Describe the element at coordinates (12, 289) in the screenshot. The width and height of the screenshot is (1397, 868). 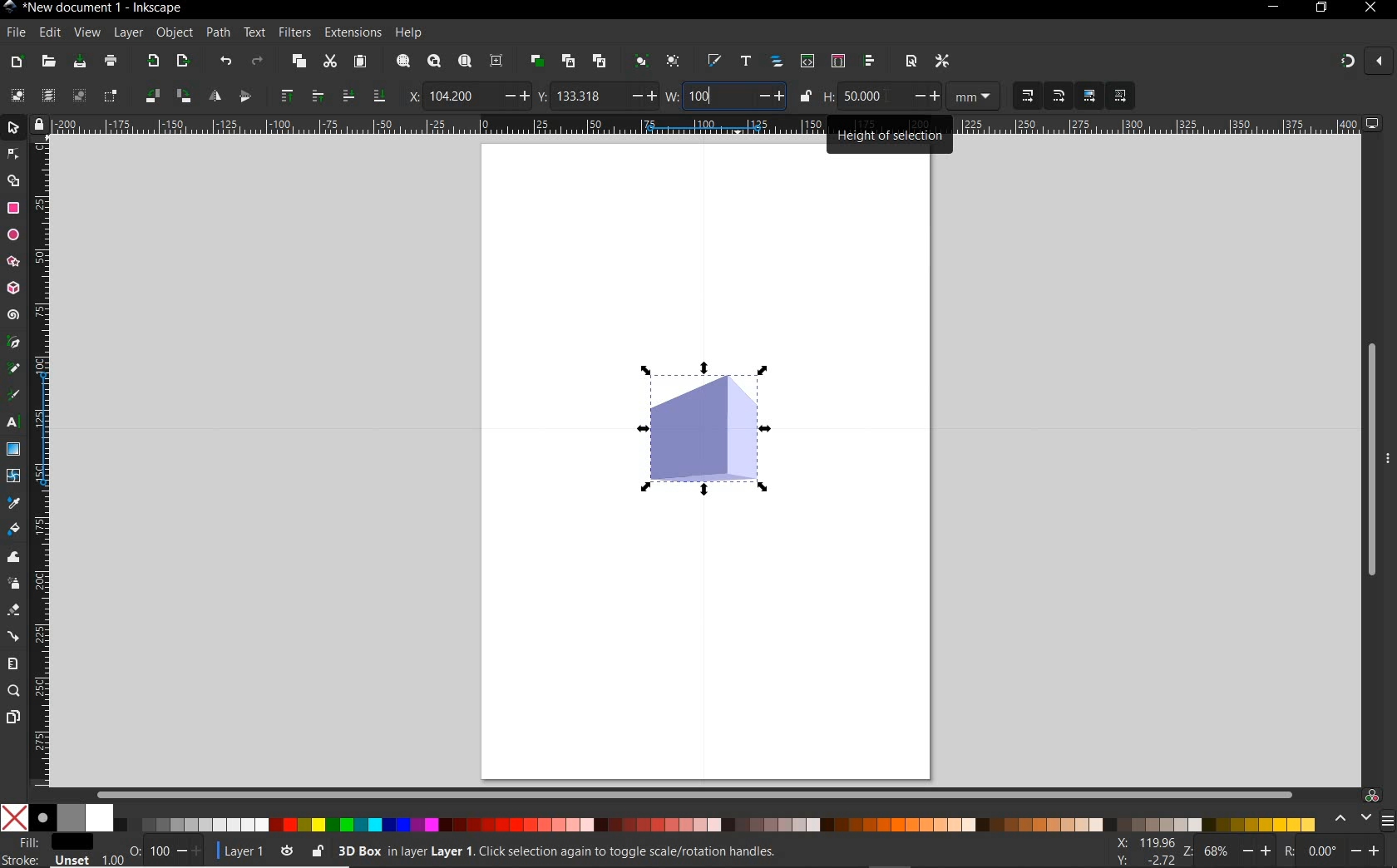
I see `3d box tool` at that location.